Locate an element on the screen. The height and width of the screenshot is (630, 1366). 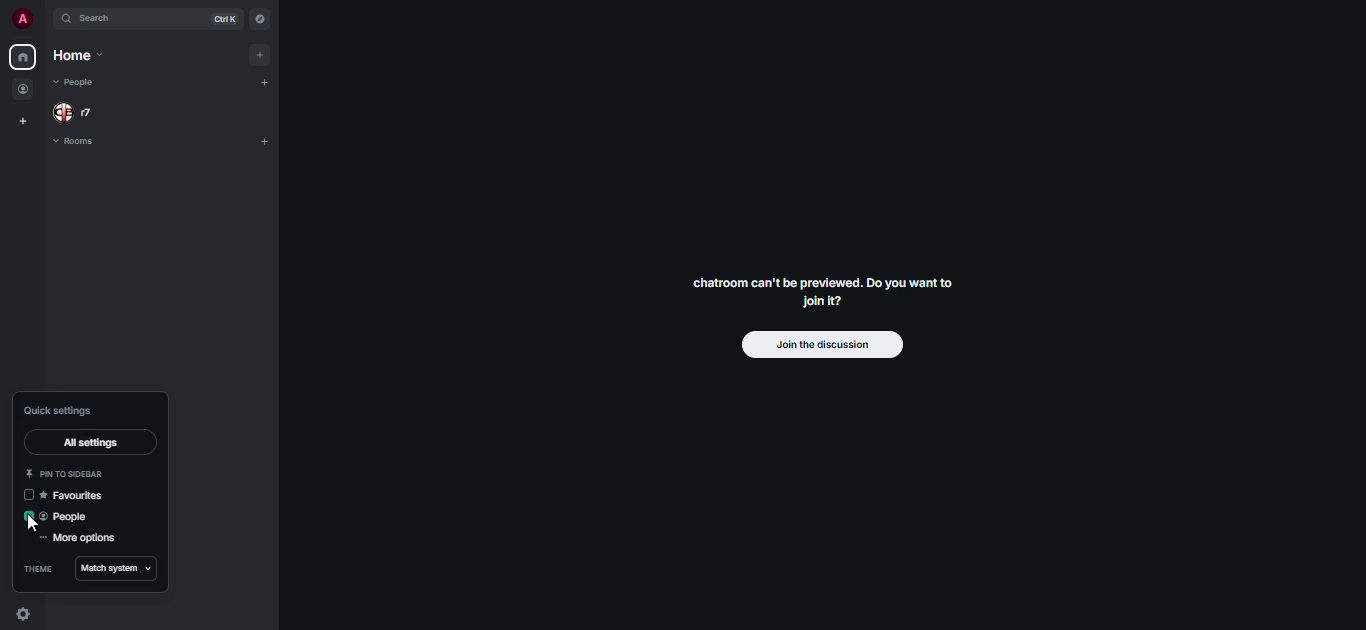
click to enable is located at coordinates (28, 495).